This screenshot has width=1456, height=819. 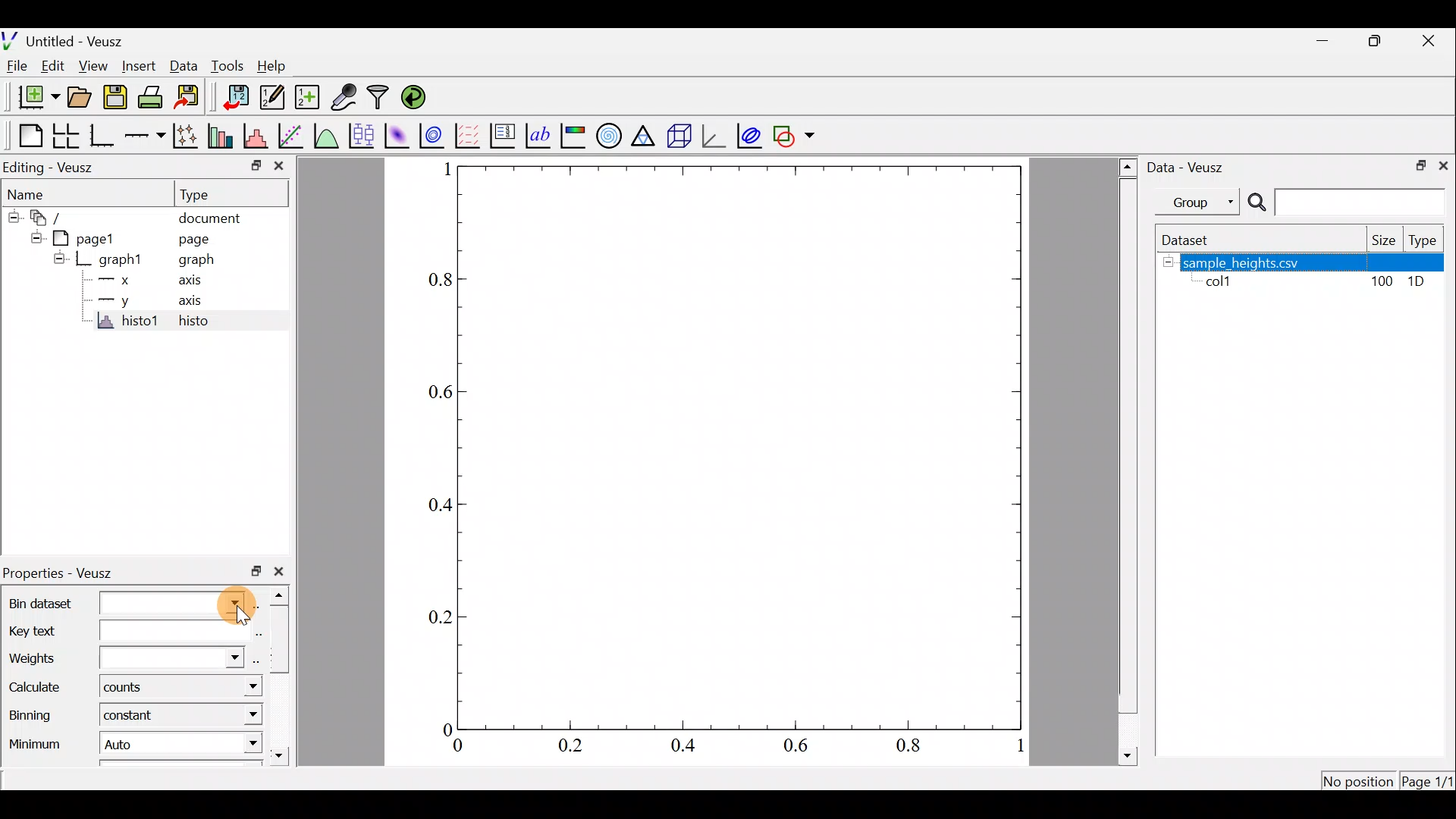 What do you see at coordinates (1426, 240) in the screenshot?
I see `Type` at bounding box center [1426, 240].